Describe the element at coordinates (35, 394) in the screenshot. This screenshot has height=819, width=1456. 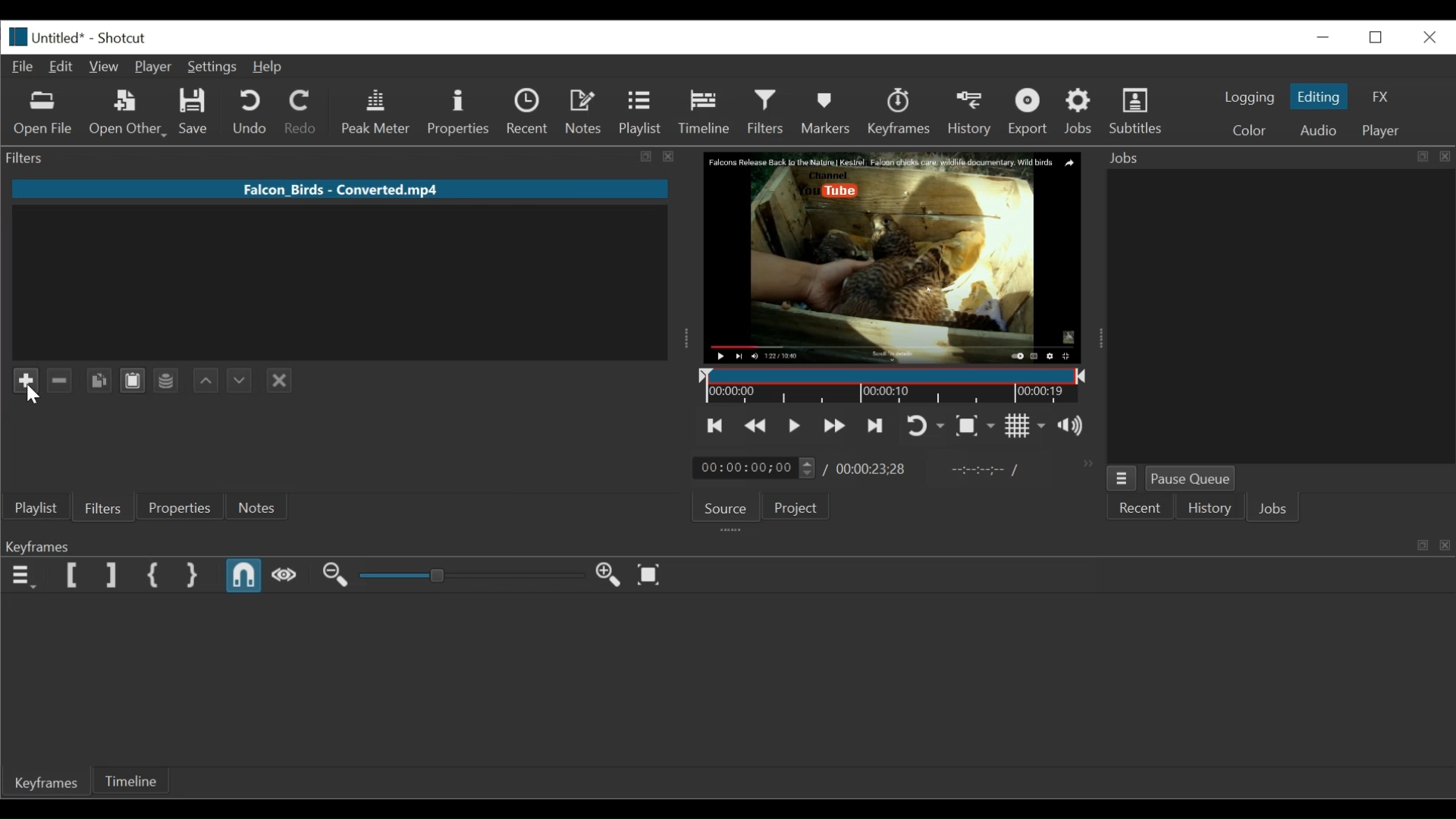
I see `Cursor` at that location.